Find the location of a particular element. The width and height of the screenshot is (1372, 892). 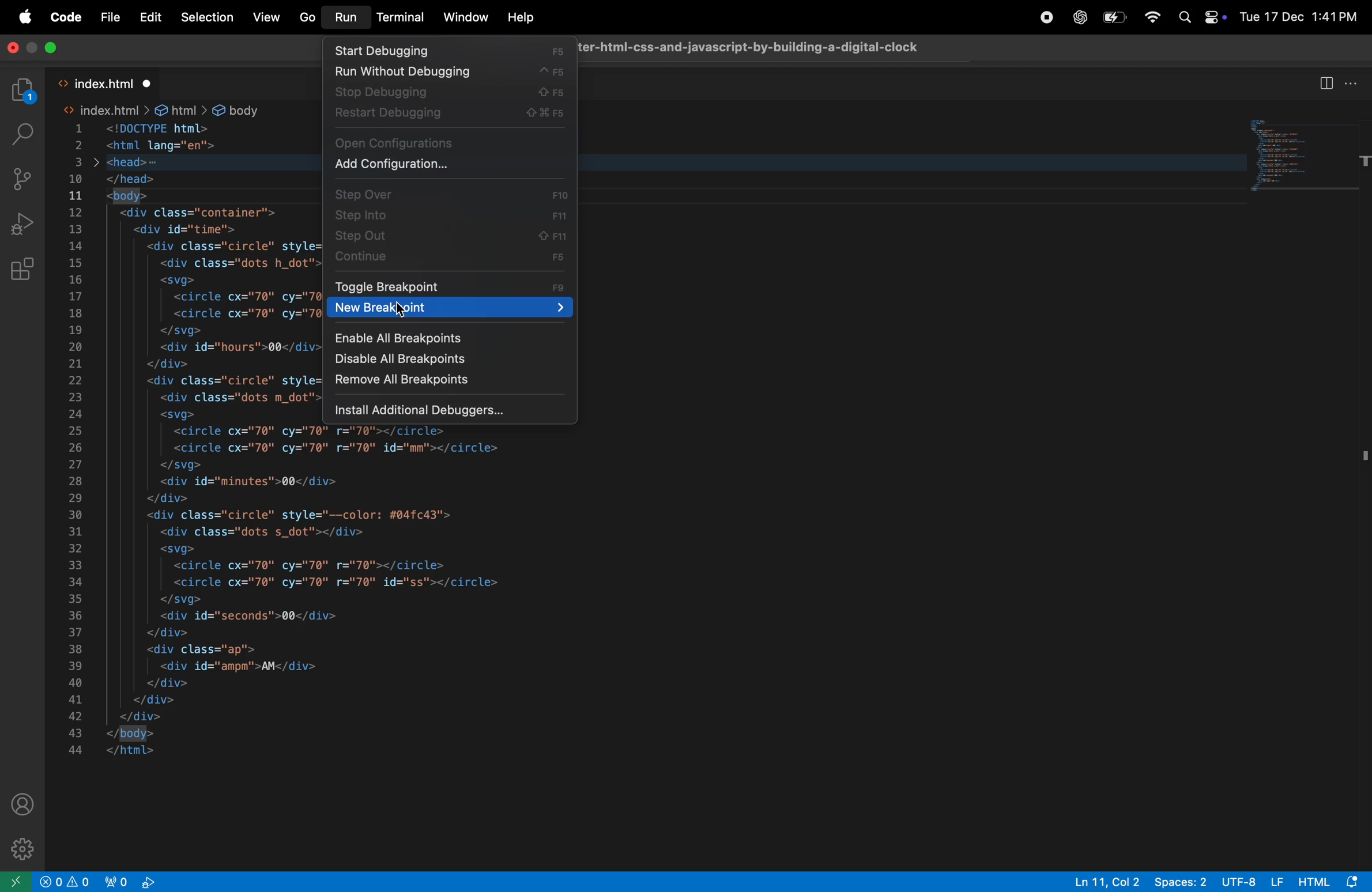

explore is located at coordinates (24, 92).